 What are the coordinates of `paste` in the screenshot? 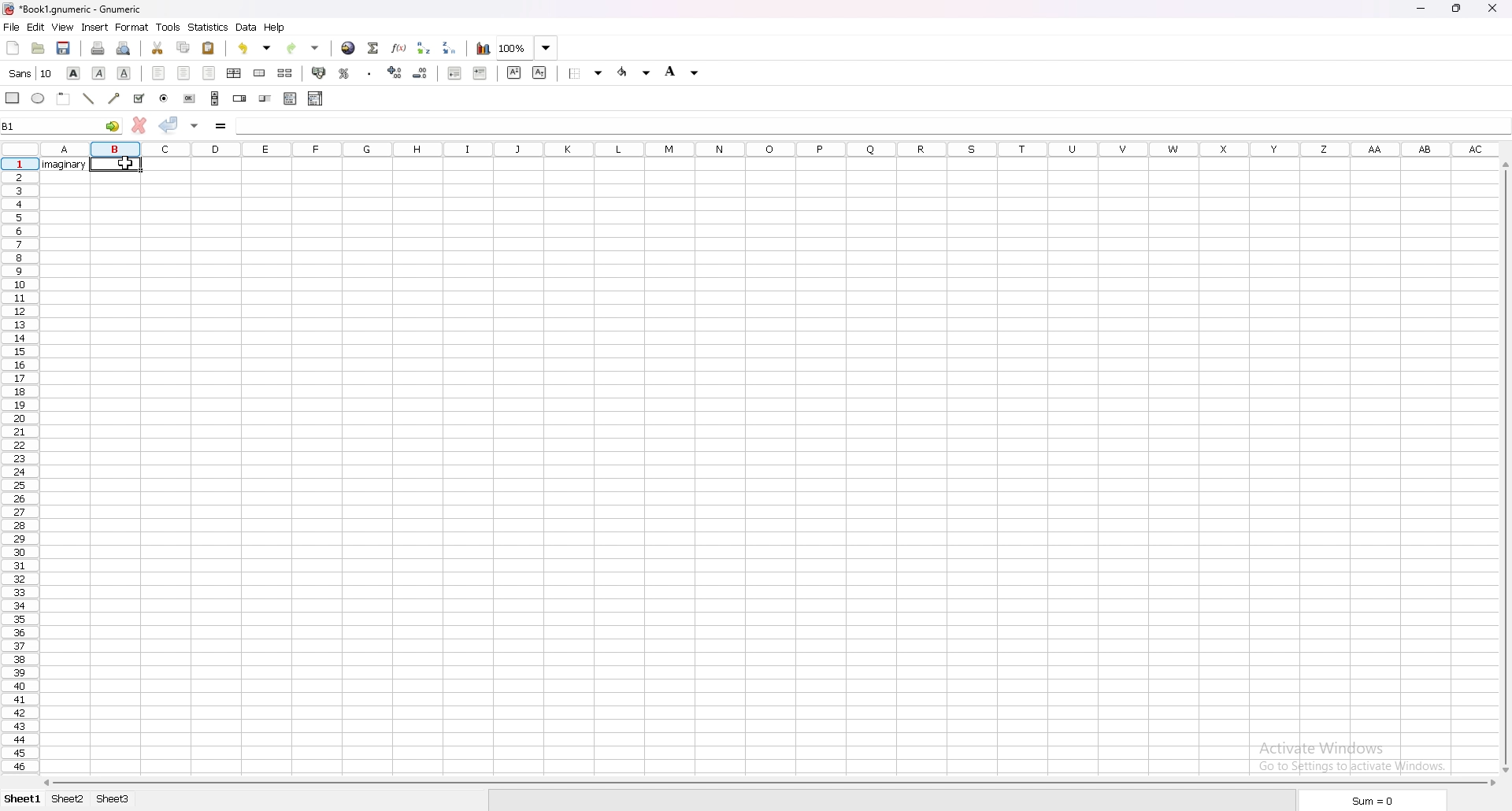 It's located at (209, 48).